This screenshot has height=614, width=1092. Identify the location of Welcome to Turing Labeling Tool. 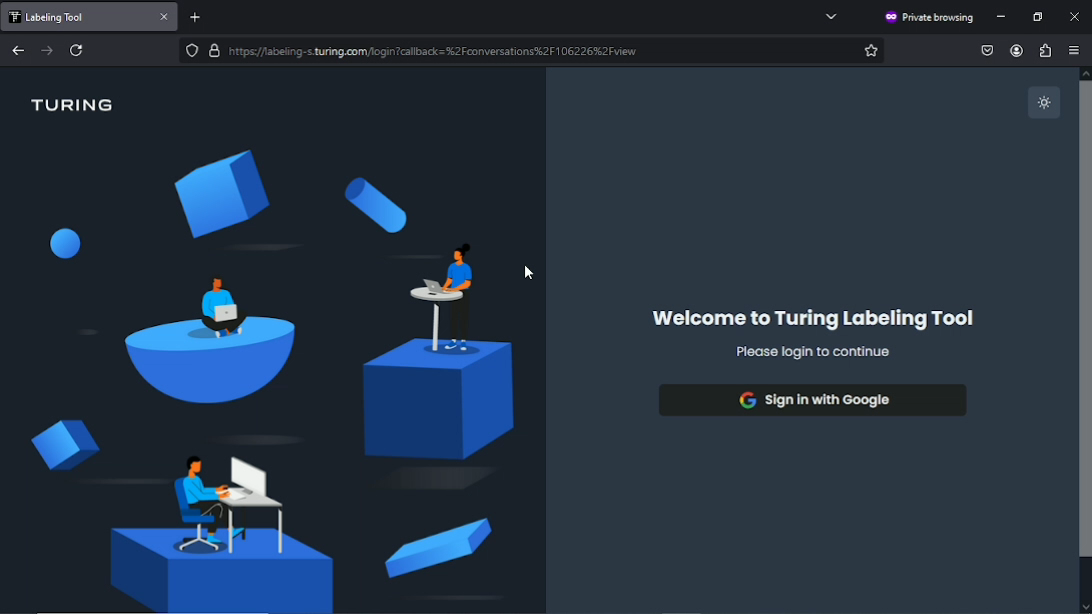
(812, 319).